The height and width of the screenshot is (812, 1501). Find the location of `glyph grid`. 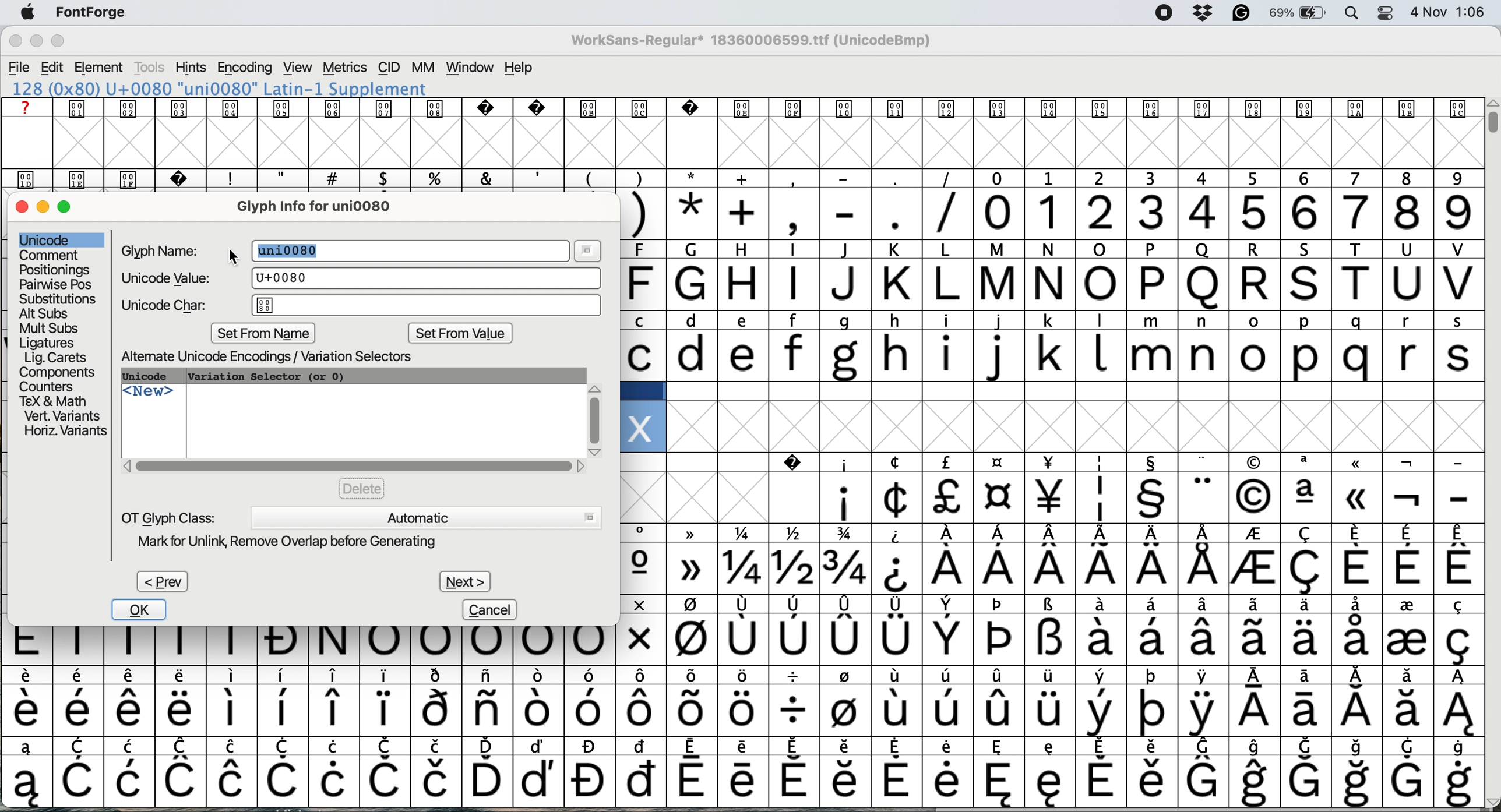

glyph grid is located at coordinates (749, 144).